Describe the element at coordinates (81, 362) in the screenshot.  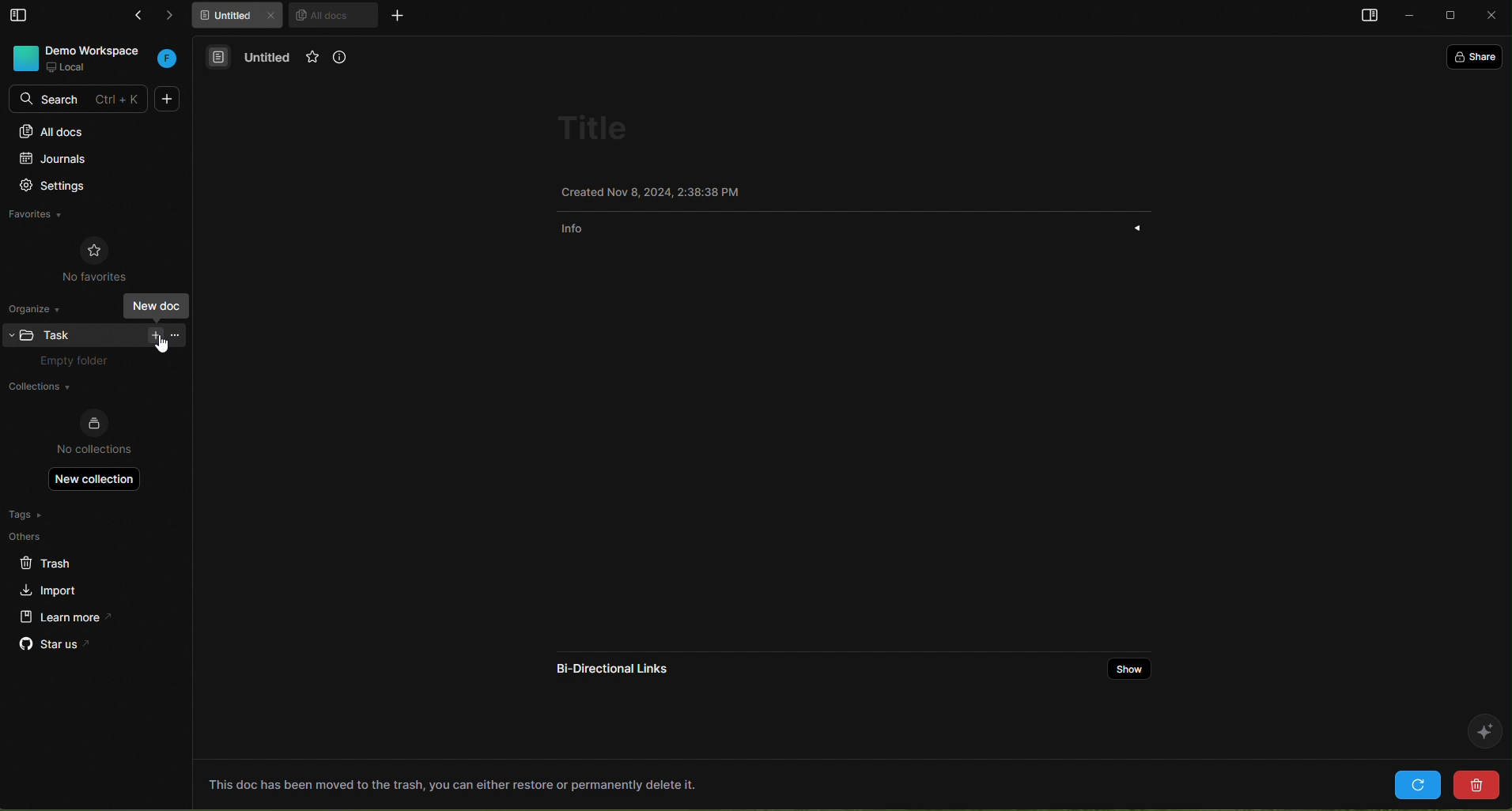
I see `empty folder` at that location.